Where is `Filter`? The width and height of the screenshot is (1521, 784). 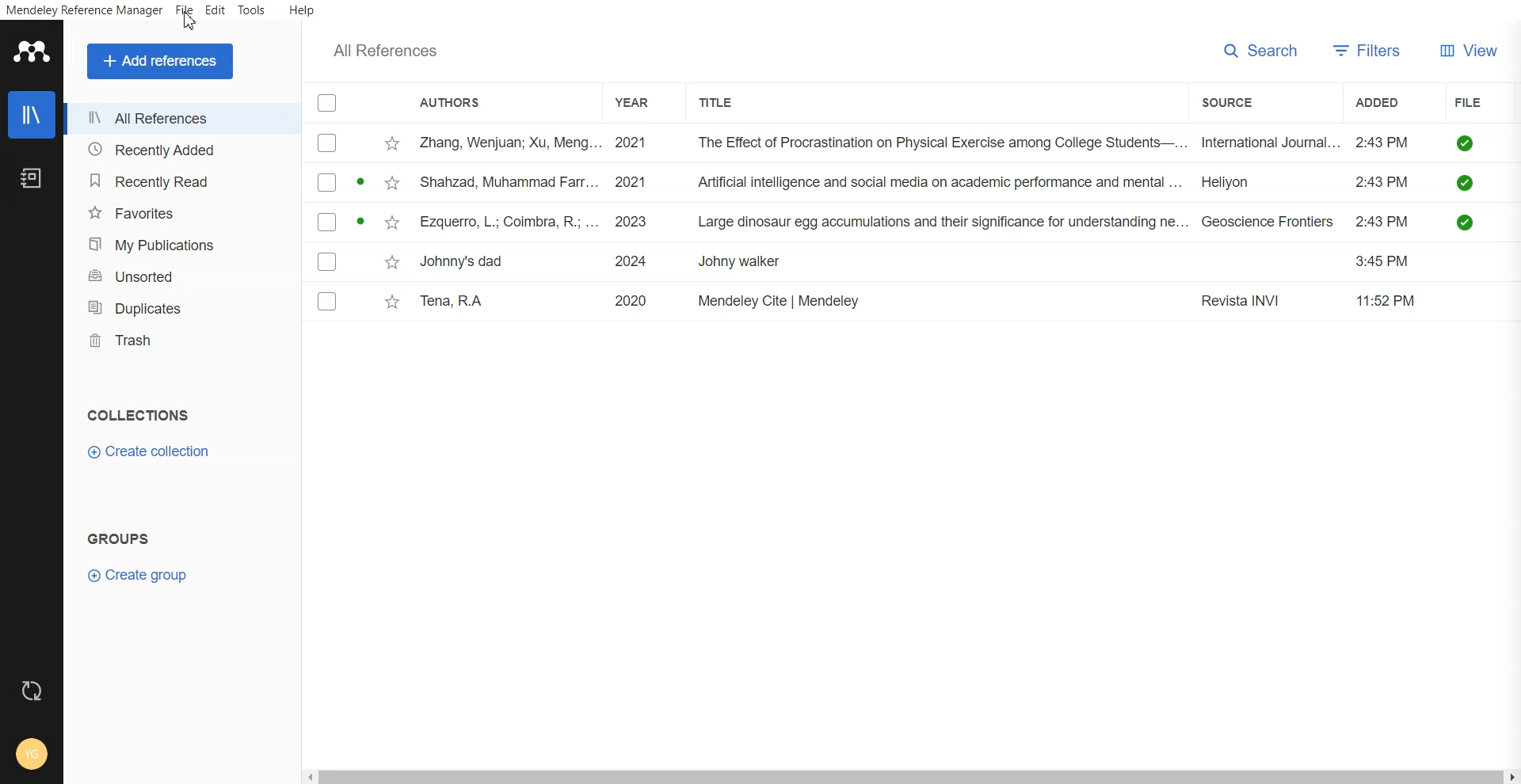 Filter is located at coordinates (1368, 51).